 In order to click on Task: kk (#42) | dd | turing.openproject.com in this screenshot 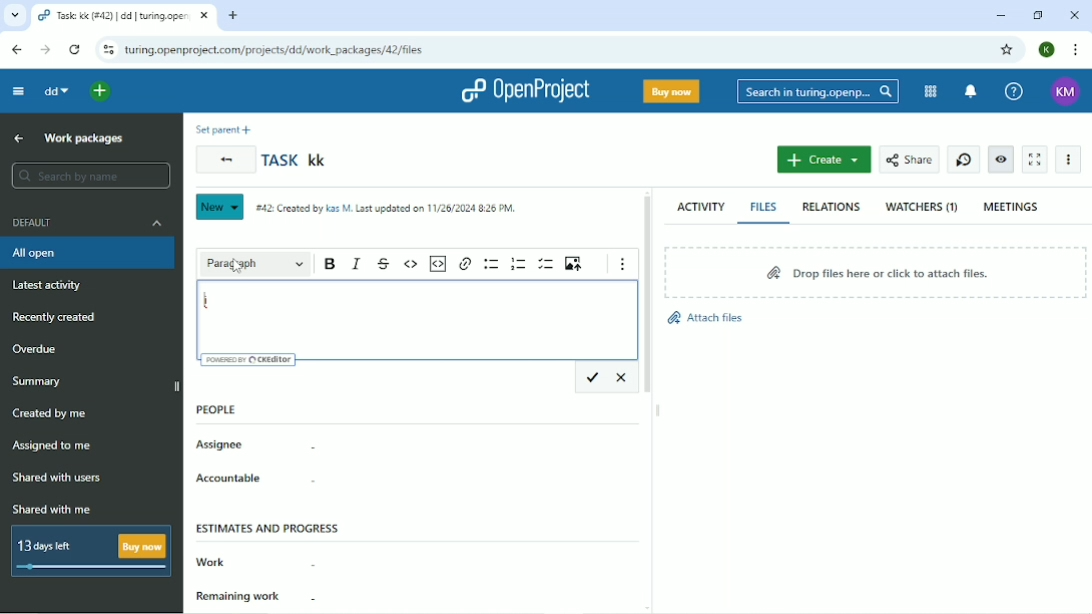, I will do `click(124, 16)`.